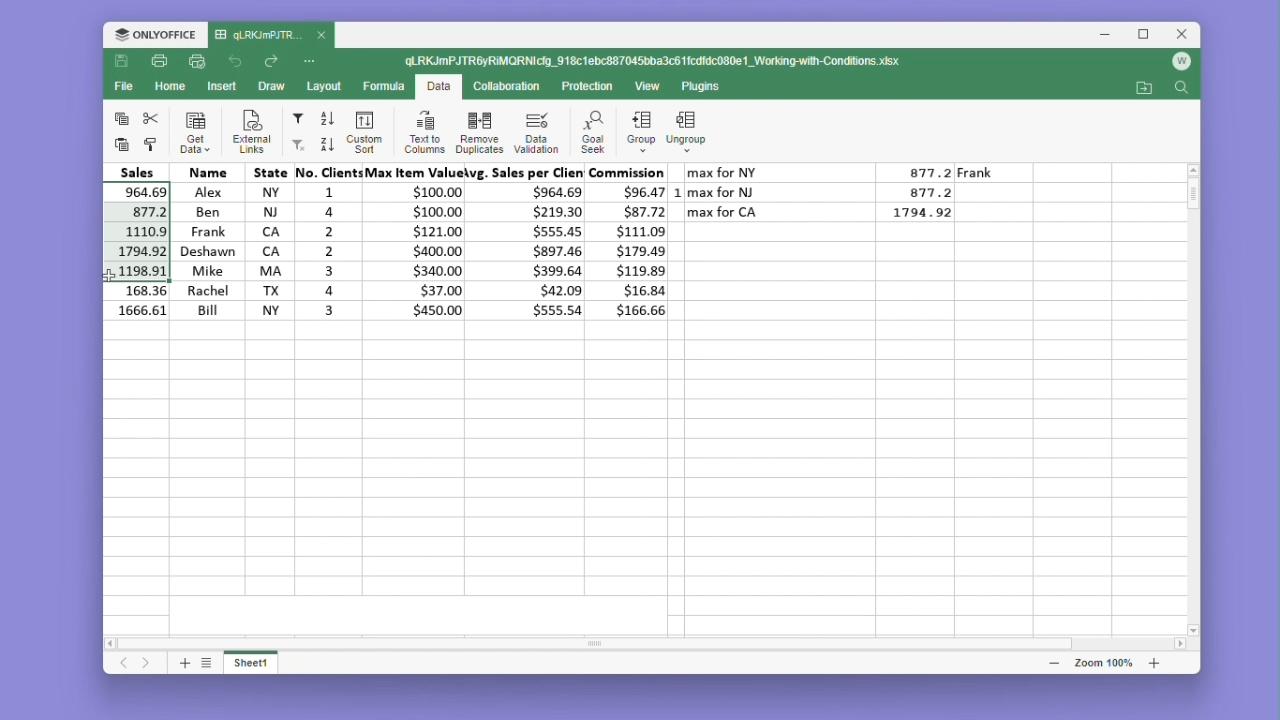 This screenshot has height=720, width=1280. What do you see at coordinates (252, 661) in the screenshot?
I see `sheet 1` at bounding box center [252, 661].